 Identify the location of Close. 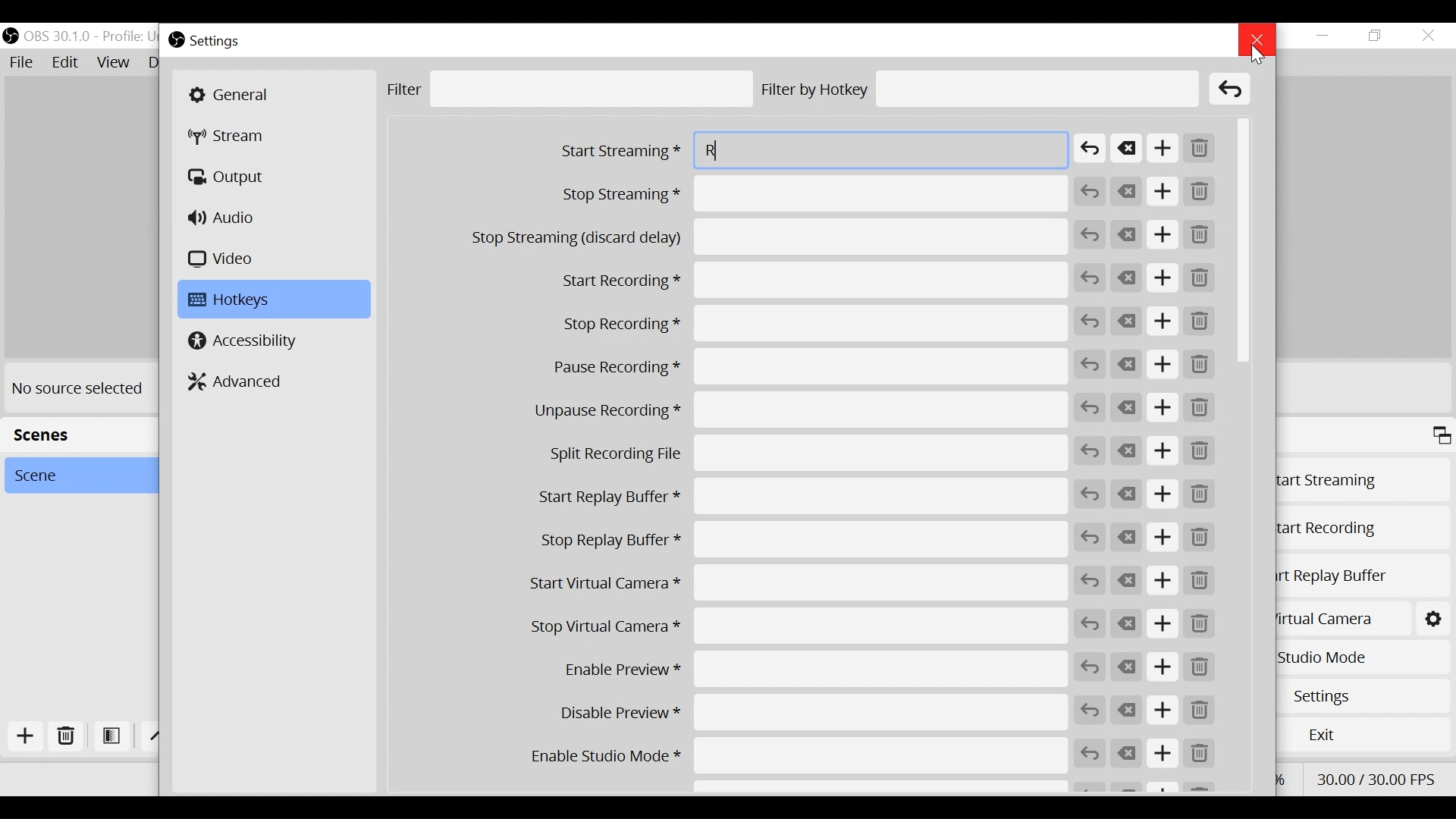
(1427, 36).